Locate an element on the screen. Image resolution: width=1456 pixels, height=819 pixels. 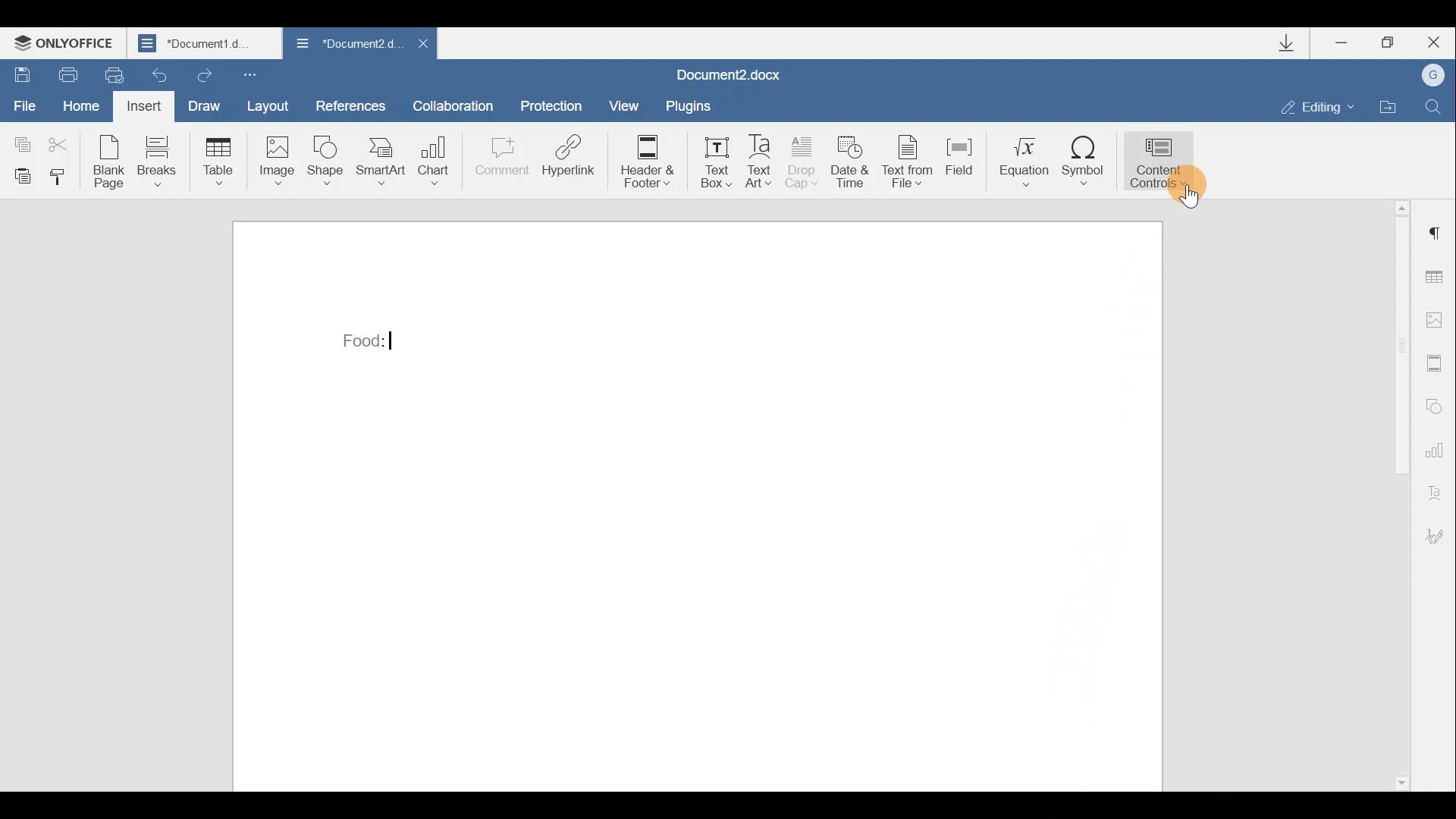
SmartArt is located at coordinates (381, 160).